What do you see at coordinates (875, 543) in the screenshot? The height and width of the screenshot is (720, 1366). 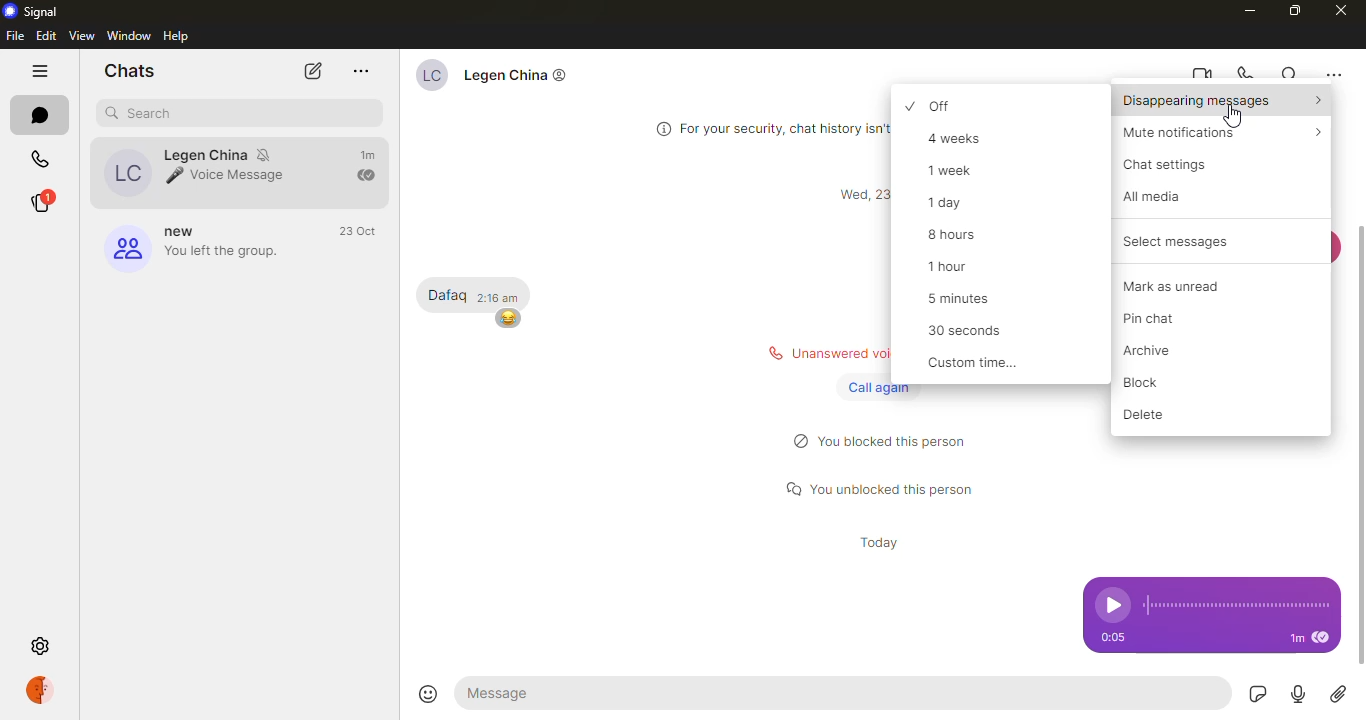 I see `time` at bounding box center [875, 543].